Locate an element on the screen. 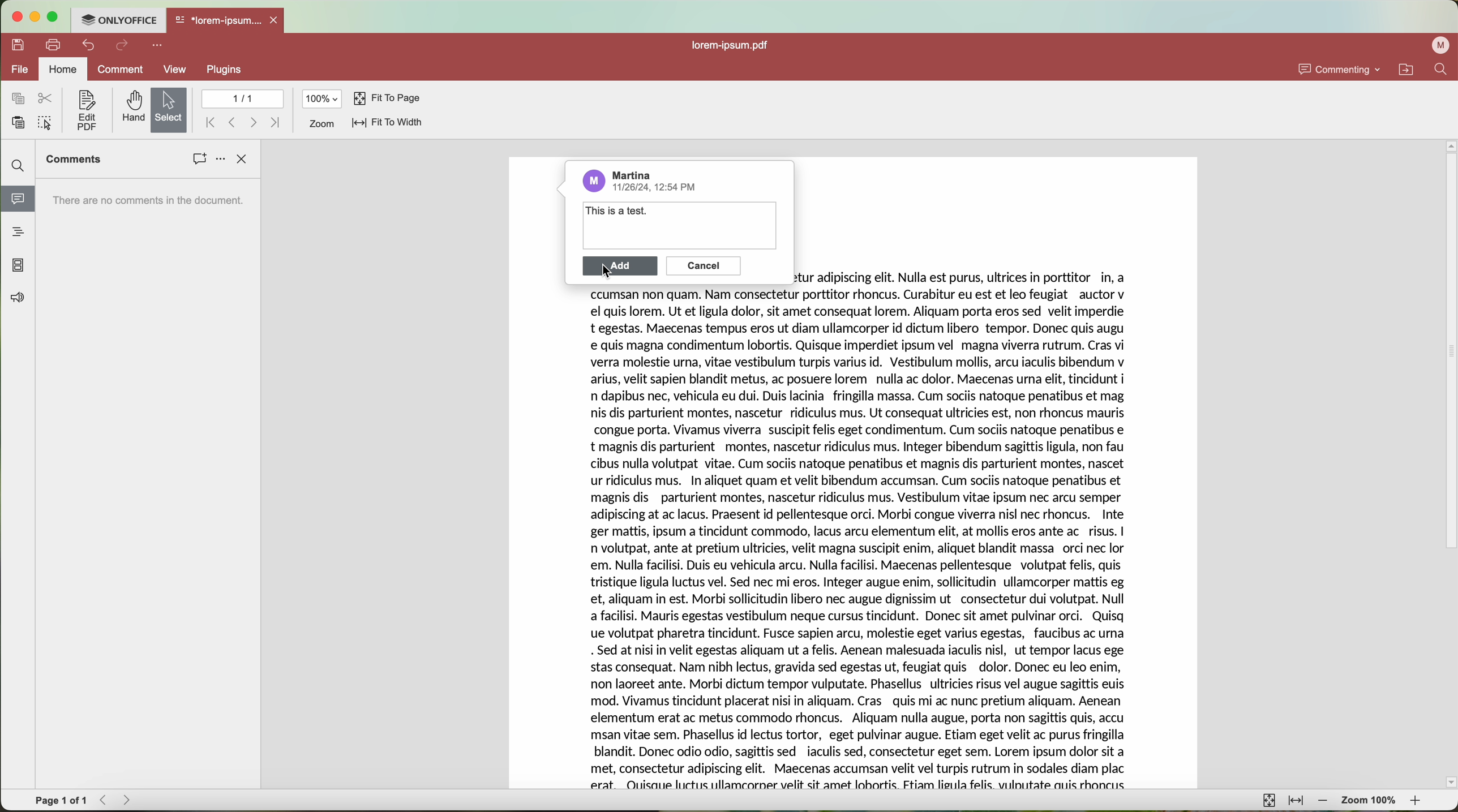 This screenshot has width=1458, height=812. close side bar is located at coordinates (243, 159).